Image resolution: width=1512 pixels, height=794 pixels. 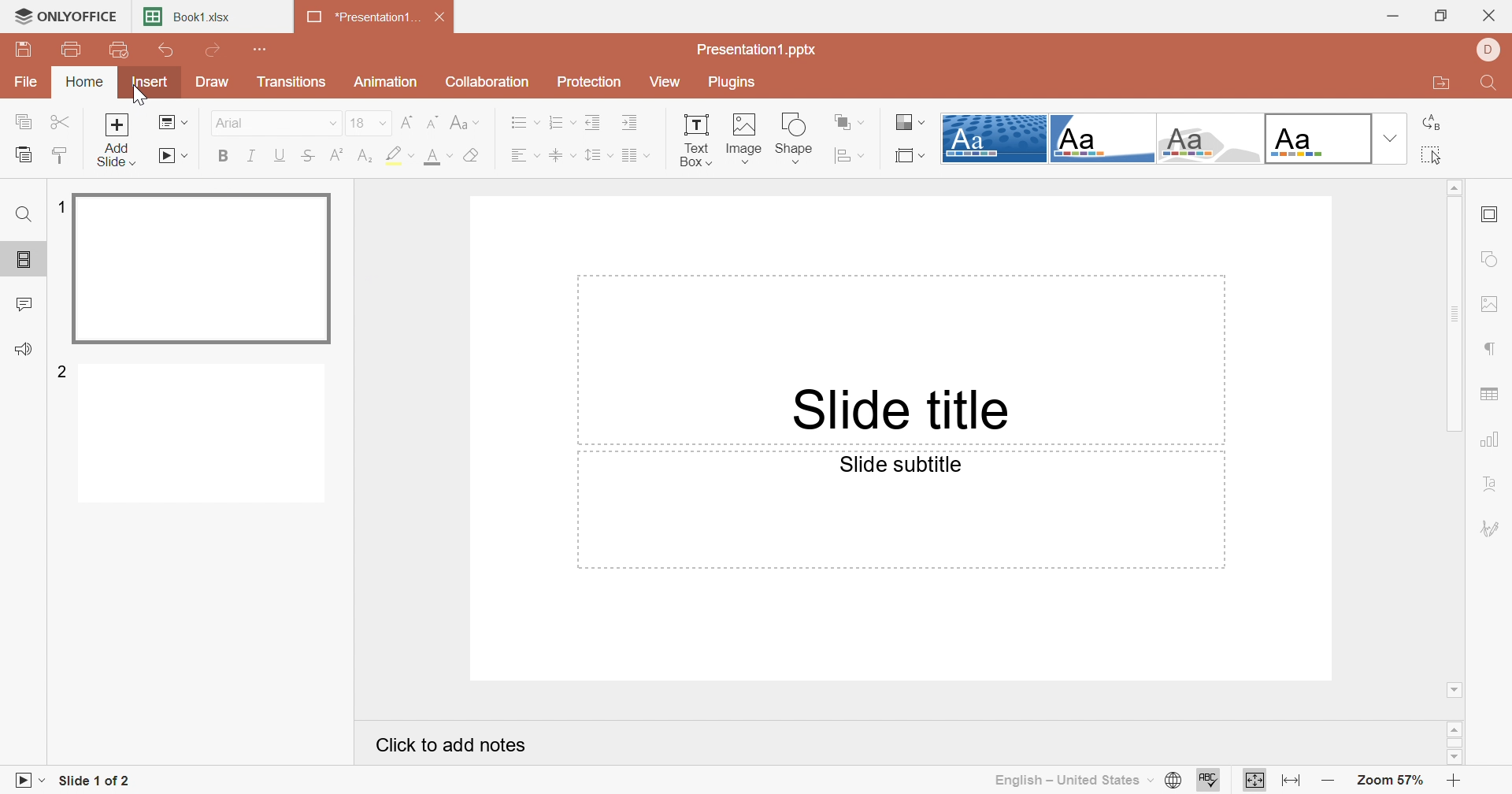 What do you see at coordinates (28, 778) in the screenshot?
I see `Start Slideshow` at bounding box center [28, 778].